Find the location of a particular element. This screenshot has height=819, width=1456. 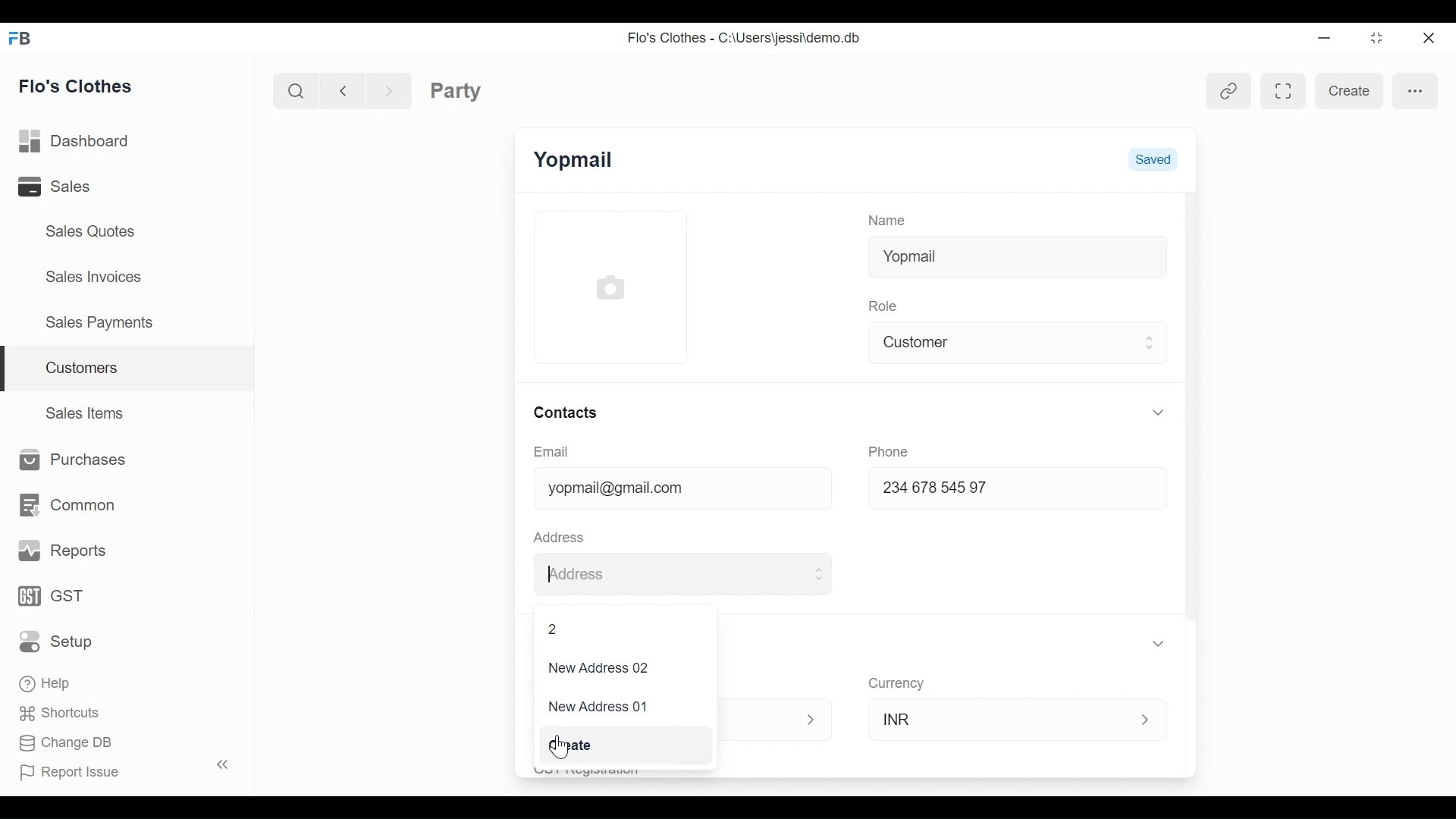

Expand is located at coordinates (1149, 344).